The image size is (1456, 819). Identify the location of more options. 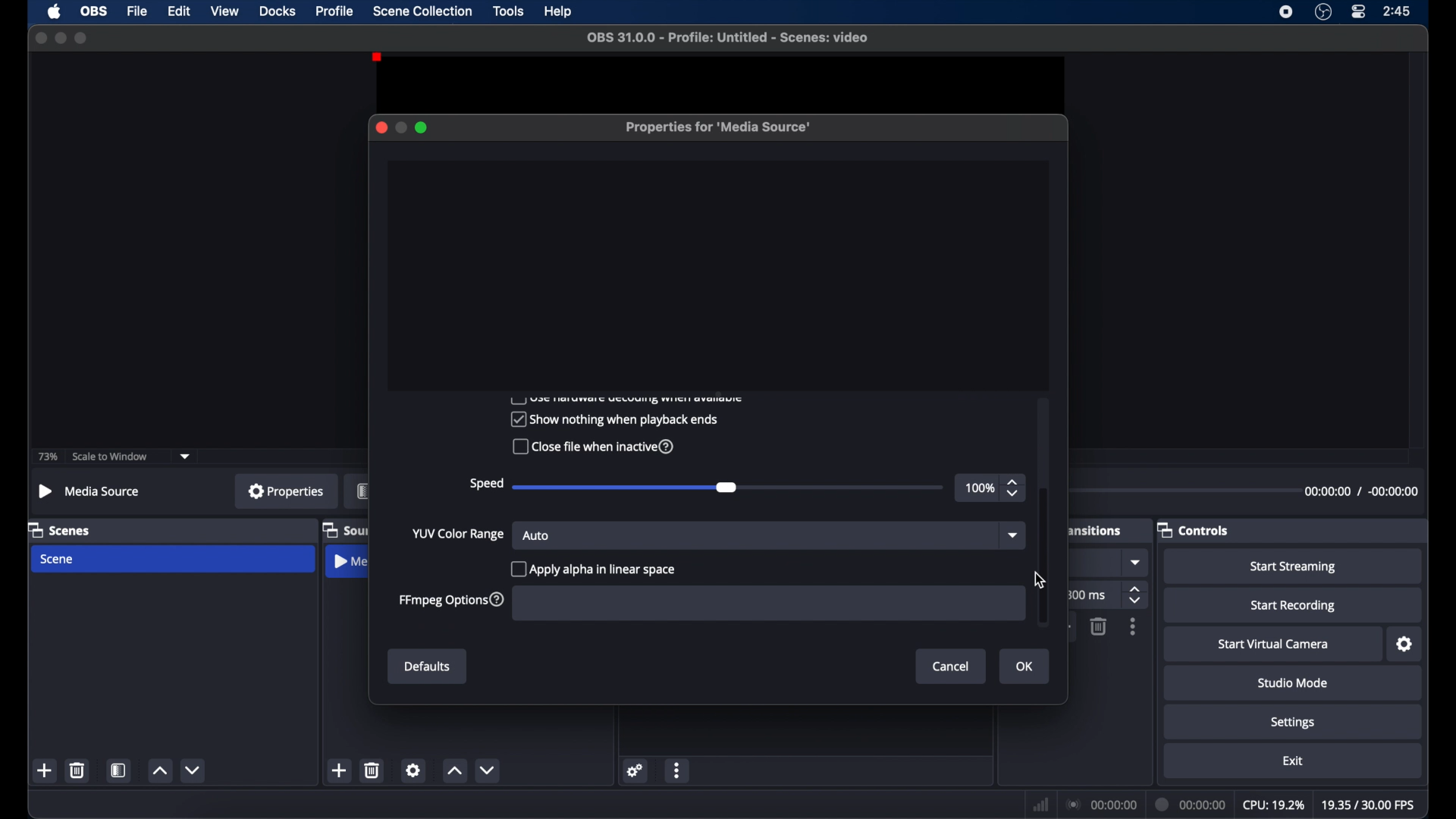
(1134, 627).